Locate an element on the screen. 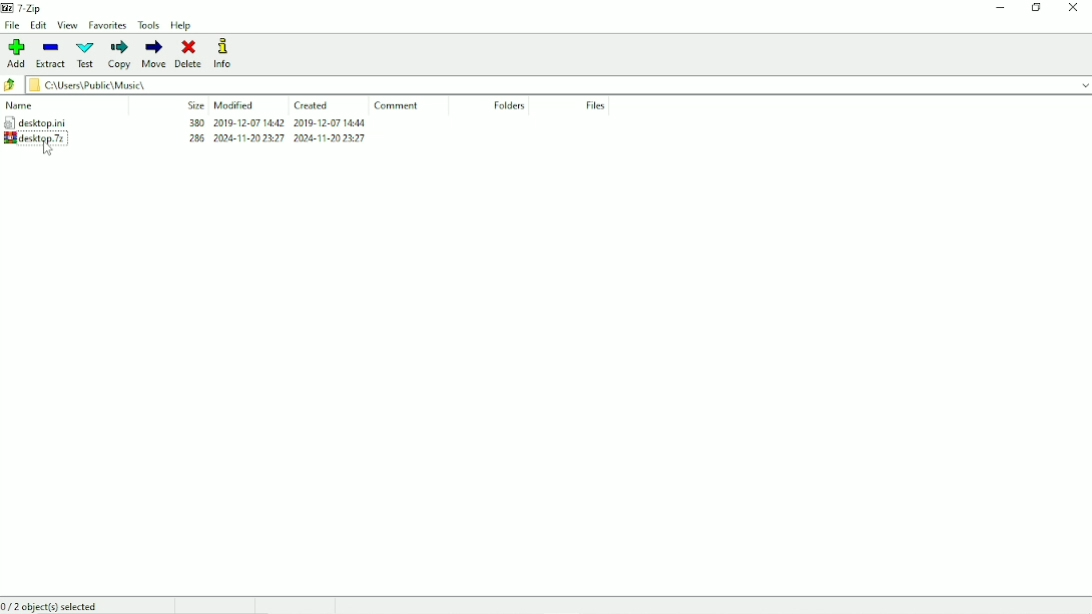  Help is located at coordinates (183, 25).